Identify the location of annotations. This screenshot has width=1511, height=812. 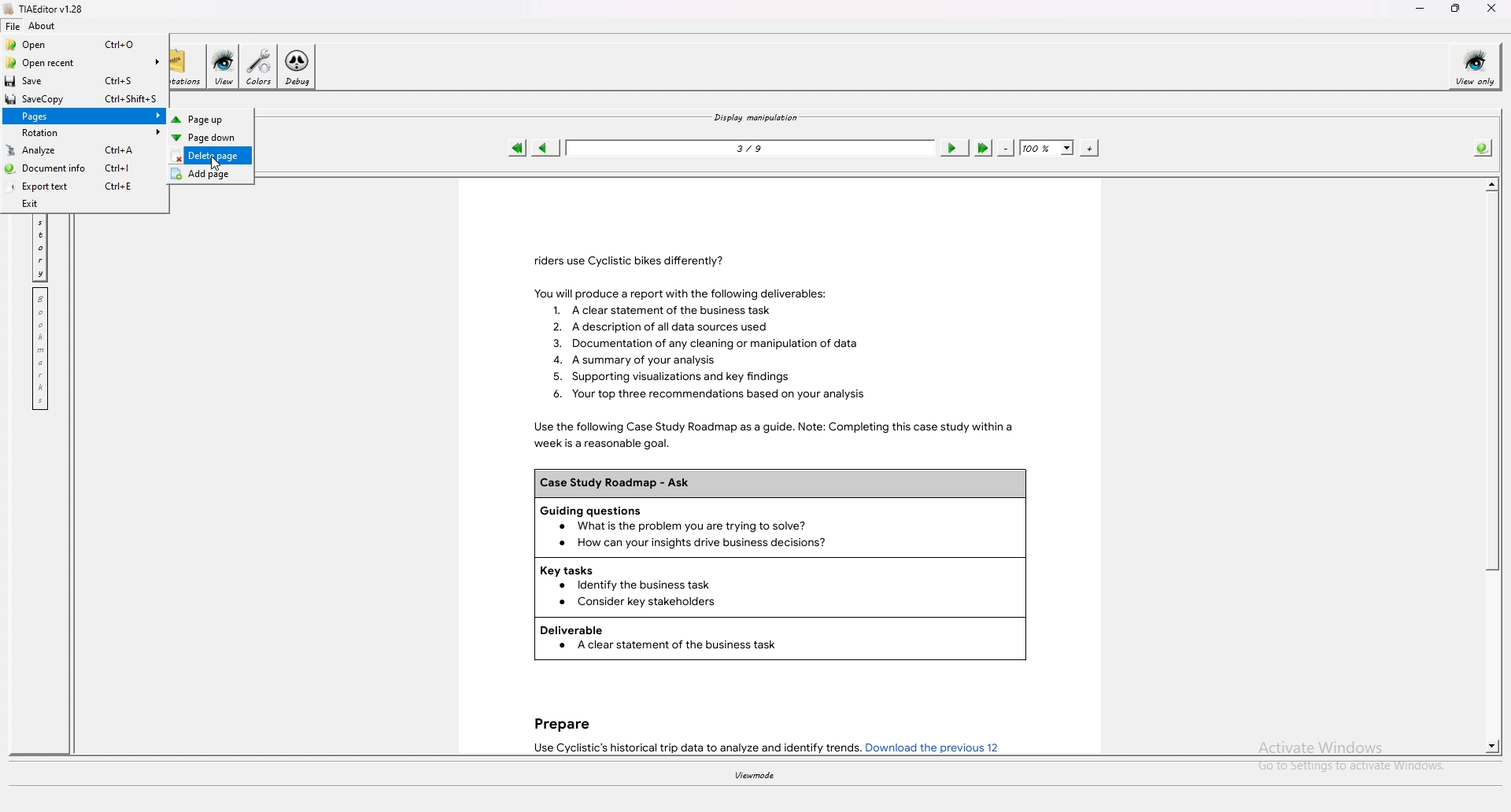
(187, 66).